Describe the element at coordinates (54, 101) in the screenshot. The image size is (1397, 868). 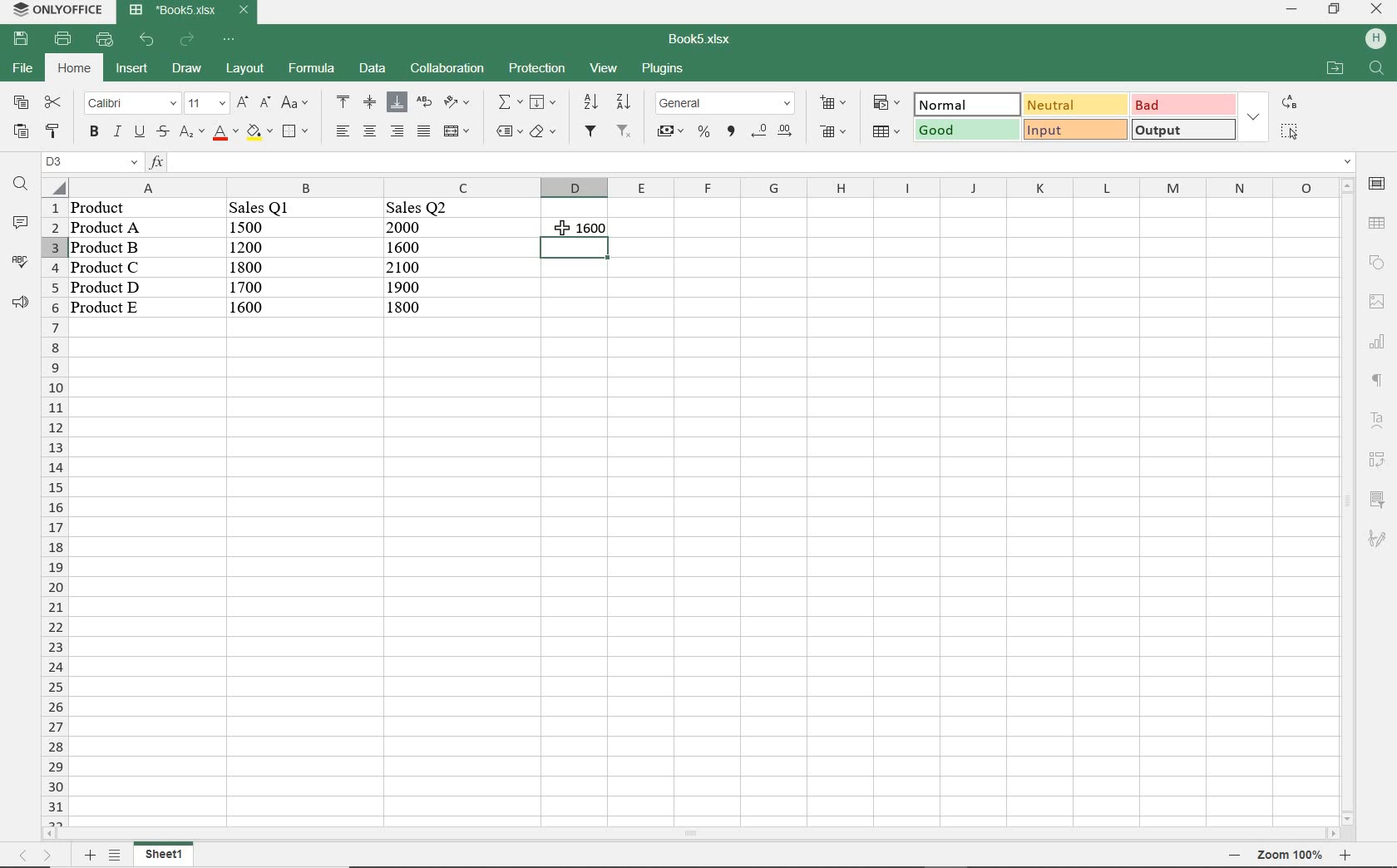
I see `cut` at that location.